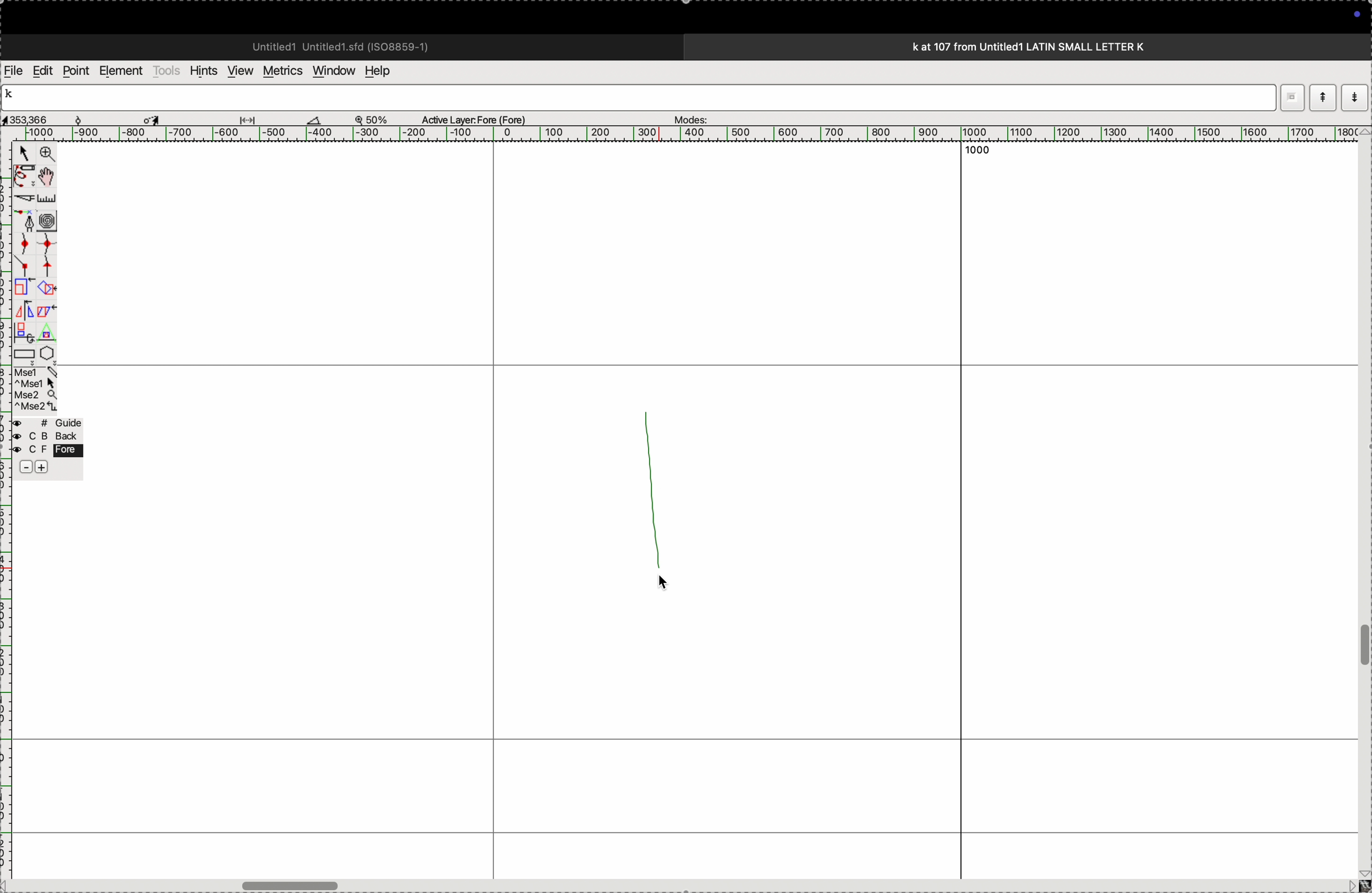 Image resolution: width=1372 pixels, height=893 pixels. I want to click on cursor, so click(154, 118).